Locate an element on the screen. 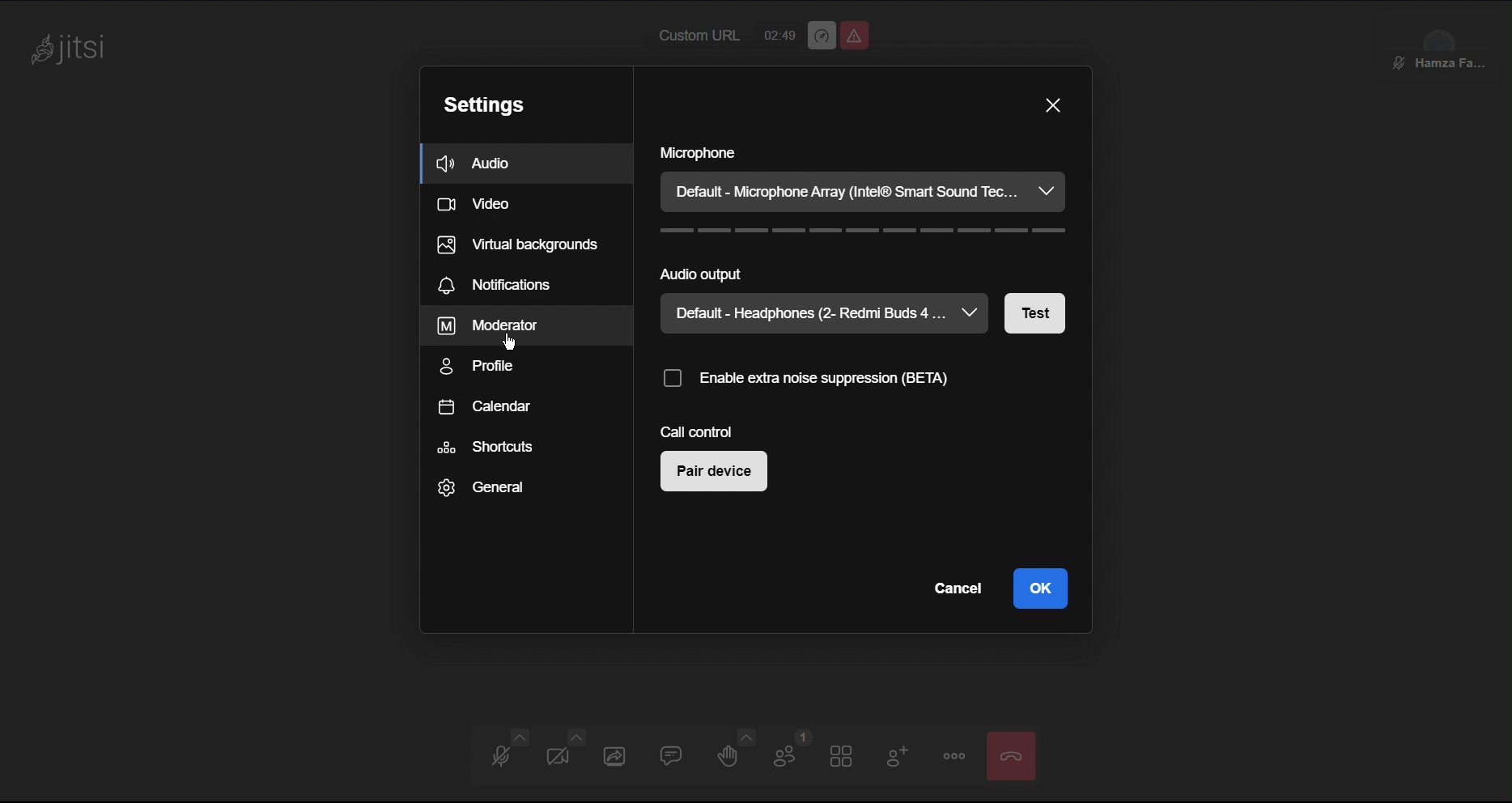  Chat is located at coordinates (672, 755).